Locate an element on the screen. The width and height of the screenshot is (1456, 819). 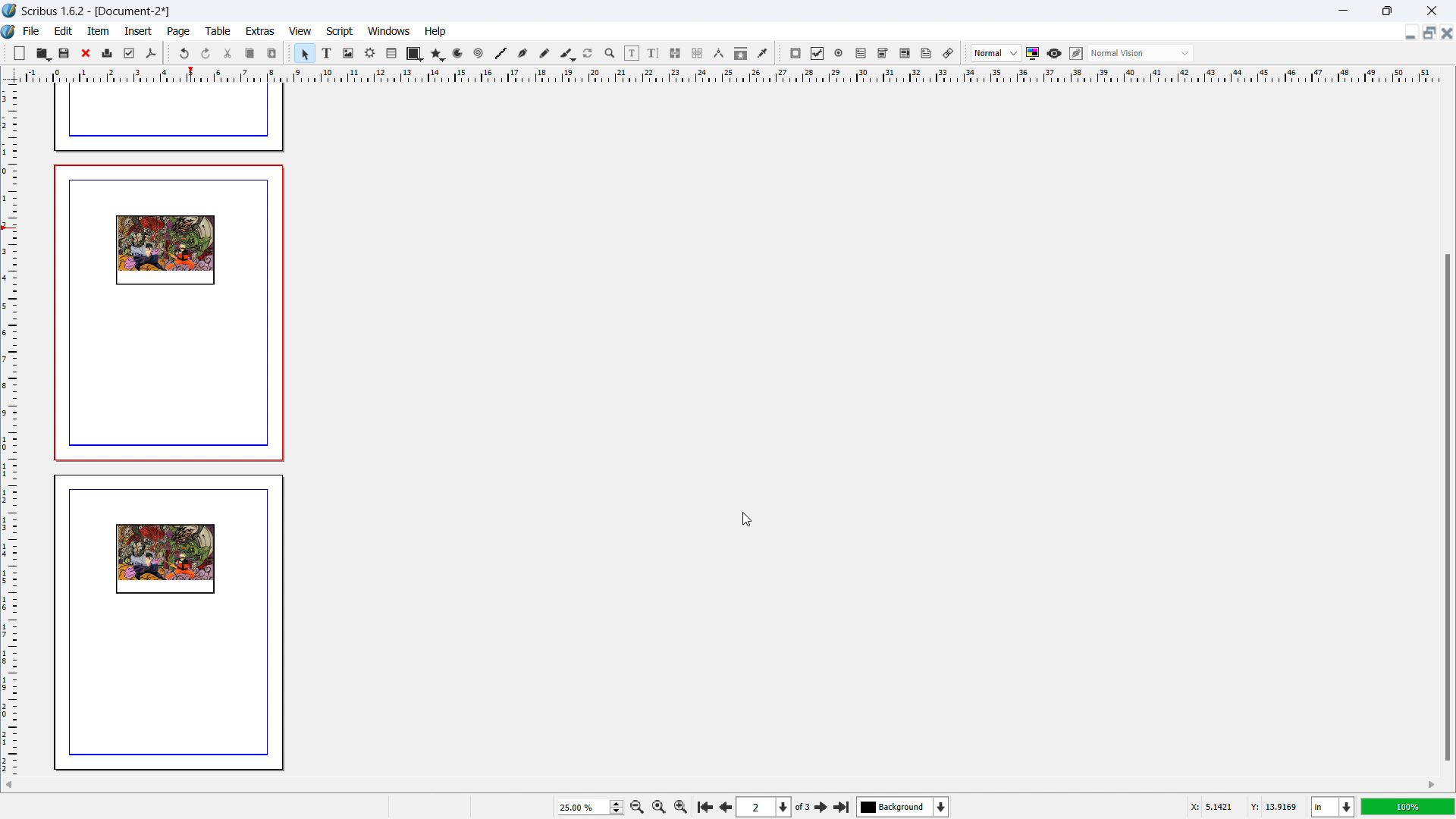
curves is located at coordinates (460, 54).